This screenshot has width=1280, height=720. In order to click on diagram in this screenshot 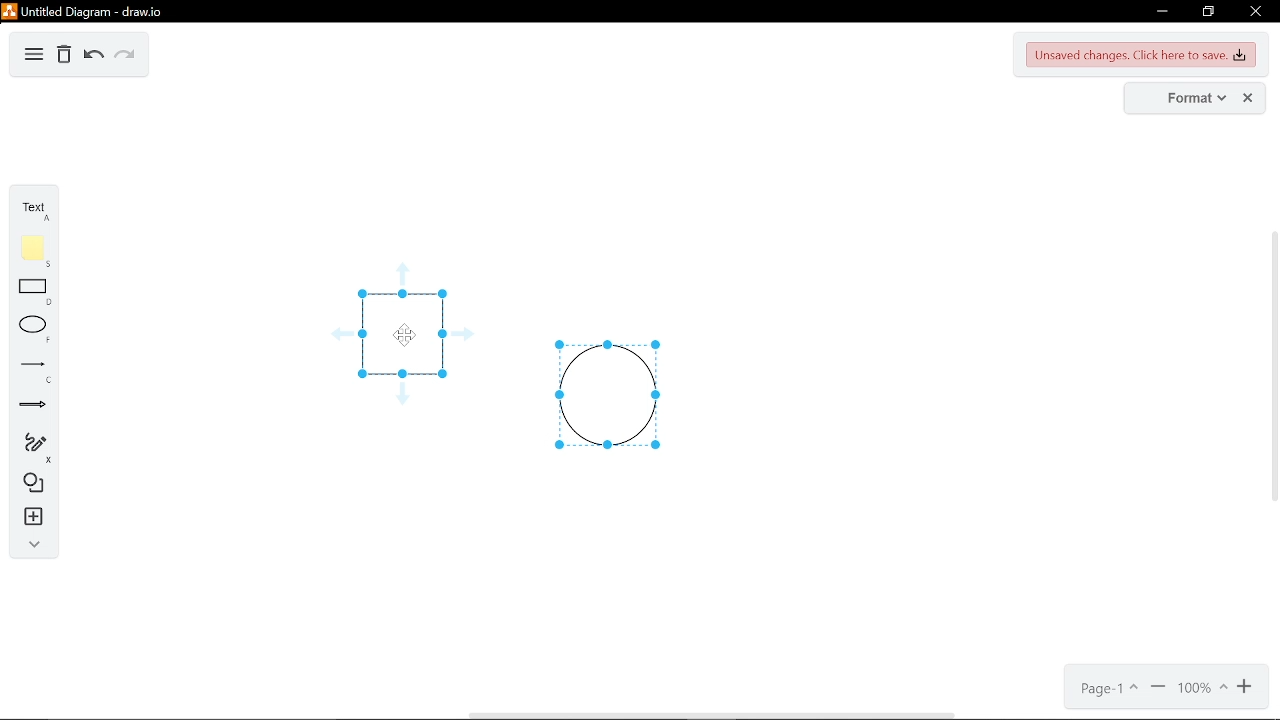, I will do `click(34, 56)`.